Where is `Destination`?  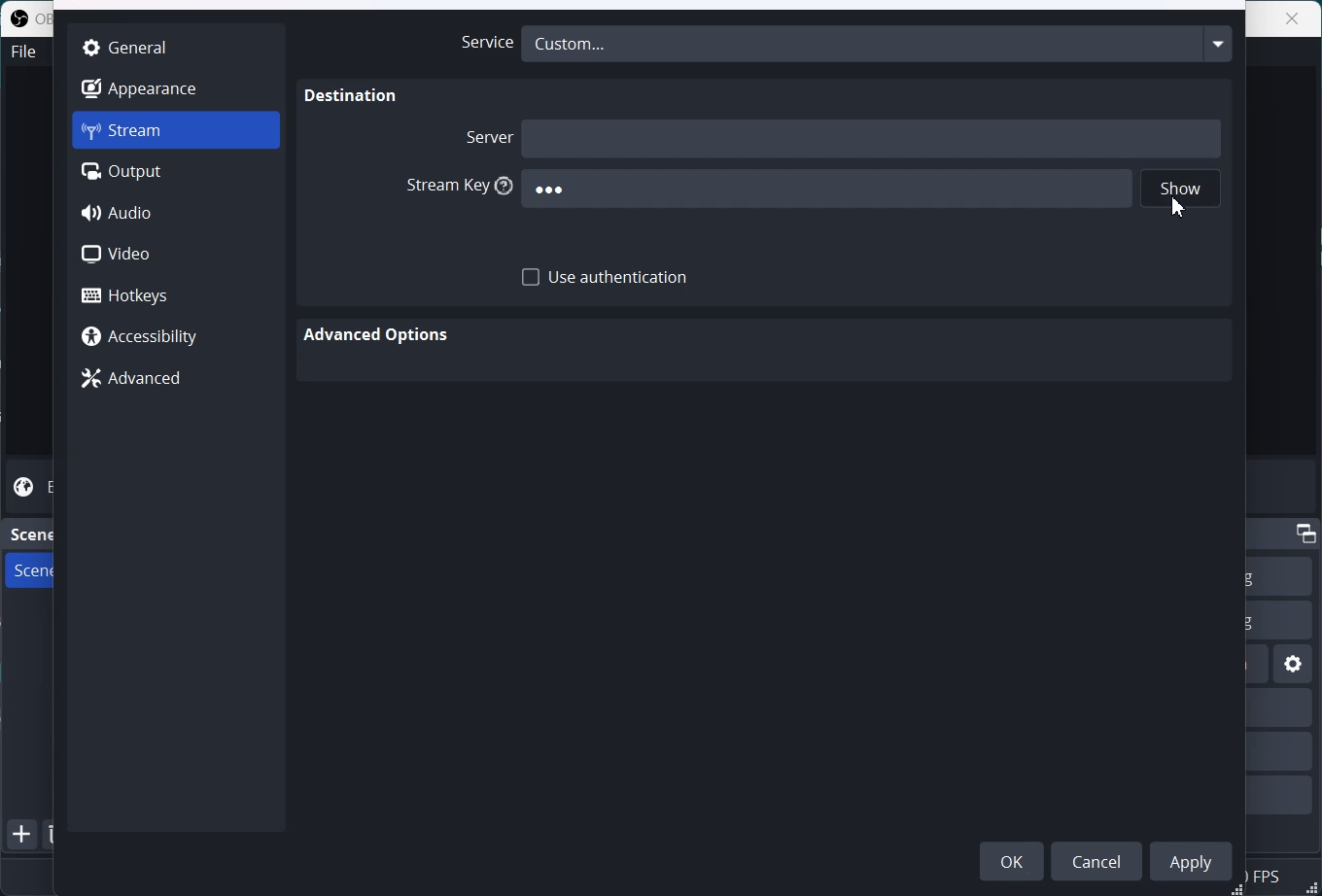 Destination is located at coordinates (352, 96).